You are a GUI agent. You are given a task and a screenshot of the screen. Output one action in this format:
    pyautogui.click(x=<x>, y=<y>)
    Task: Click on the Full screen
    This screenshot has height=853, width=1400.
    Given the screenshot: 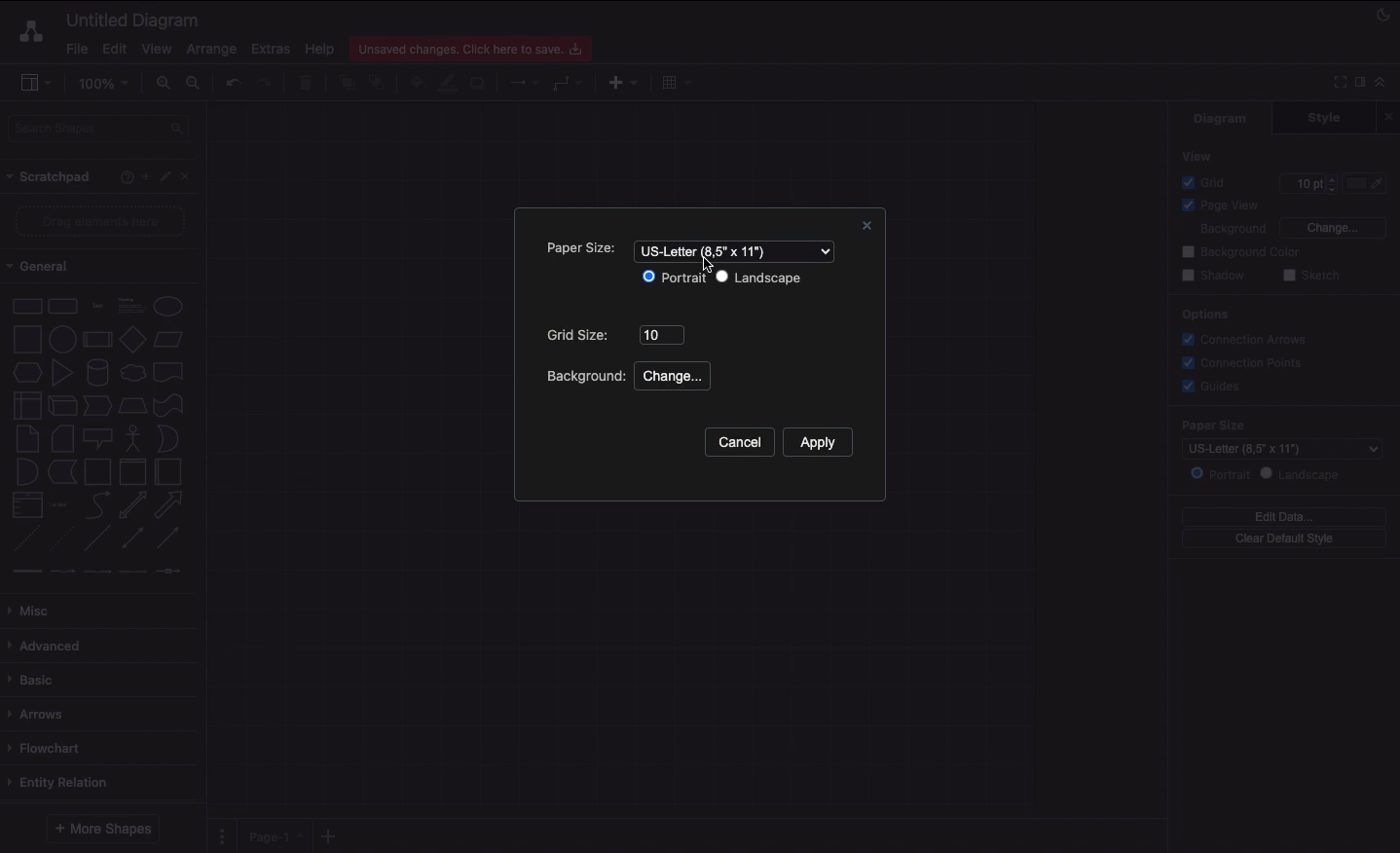 What is the action you would take?
    pyautogui.click(x=1338, y=81)
    